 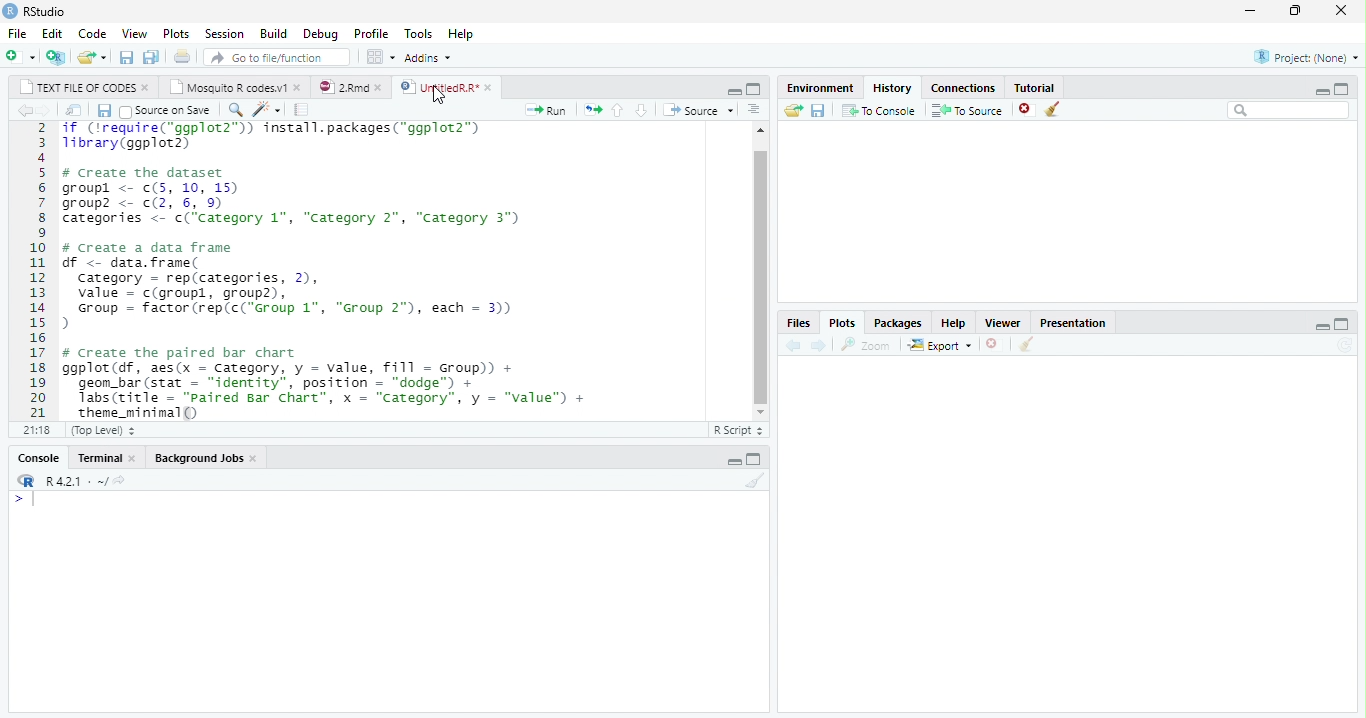 What do you see at coordinates (754, 482) in the screenshot?
I see `clear console` at bounding box center [754, 482].